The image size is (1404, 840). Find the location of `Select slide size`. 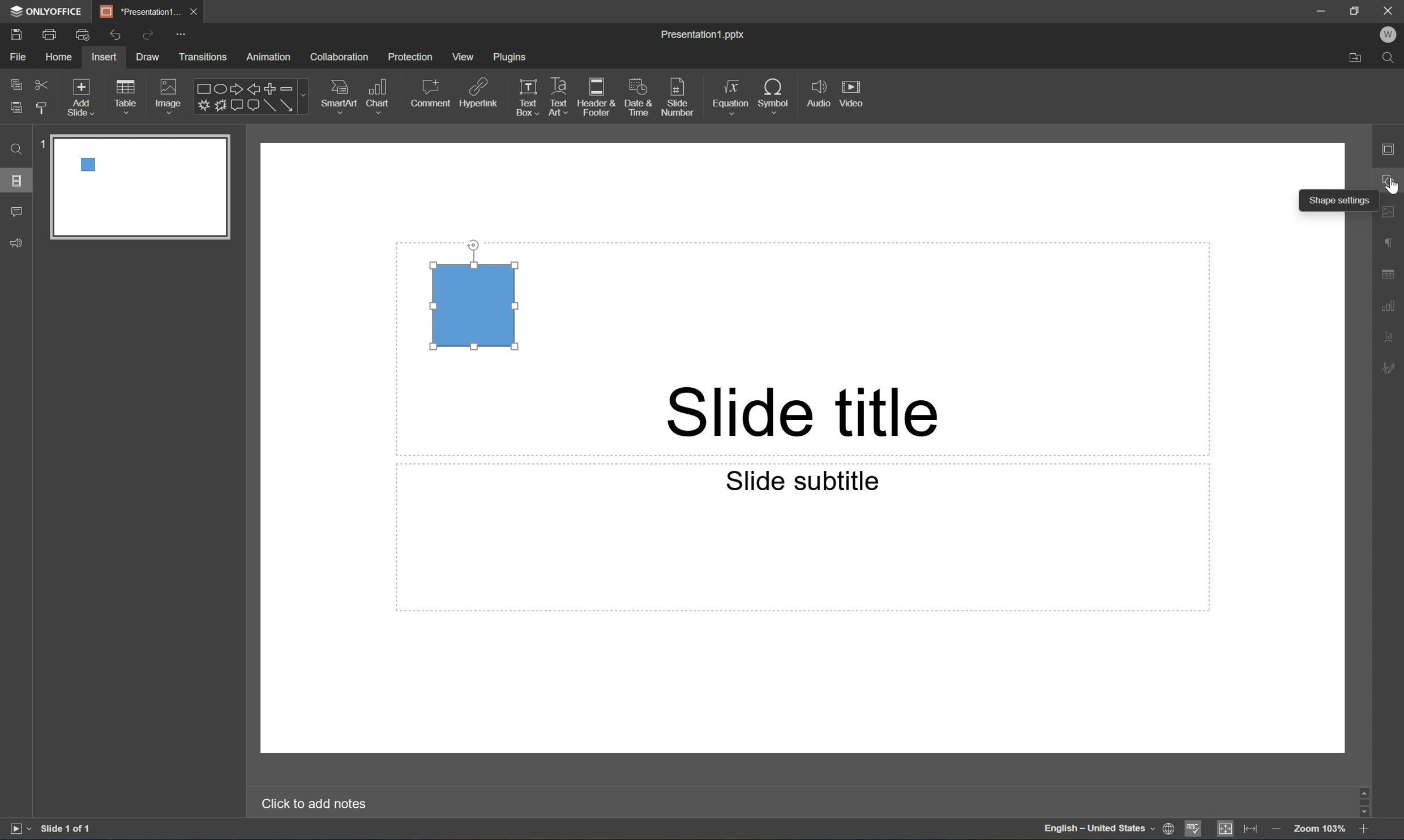

Select slide size is located at coordinates (632, 108).